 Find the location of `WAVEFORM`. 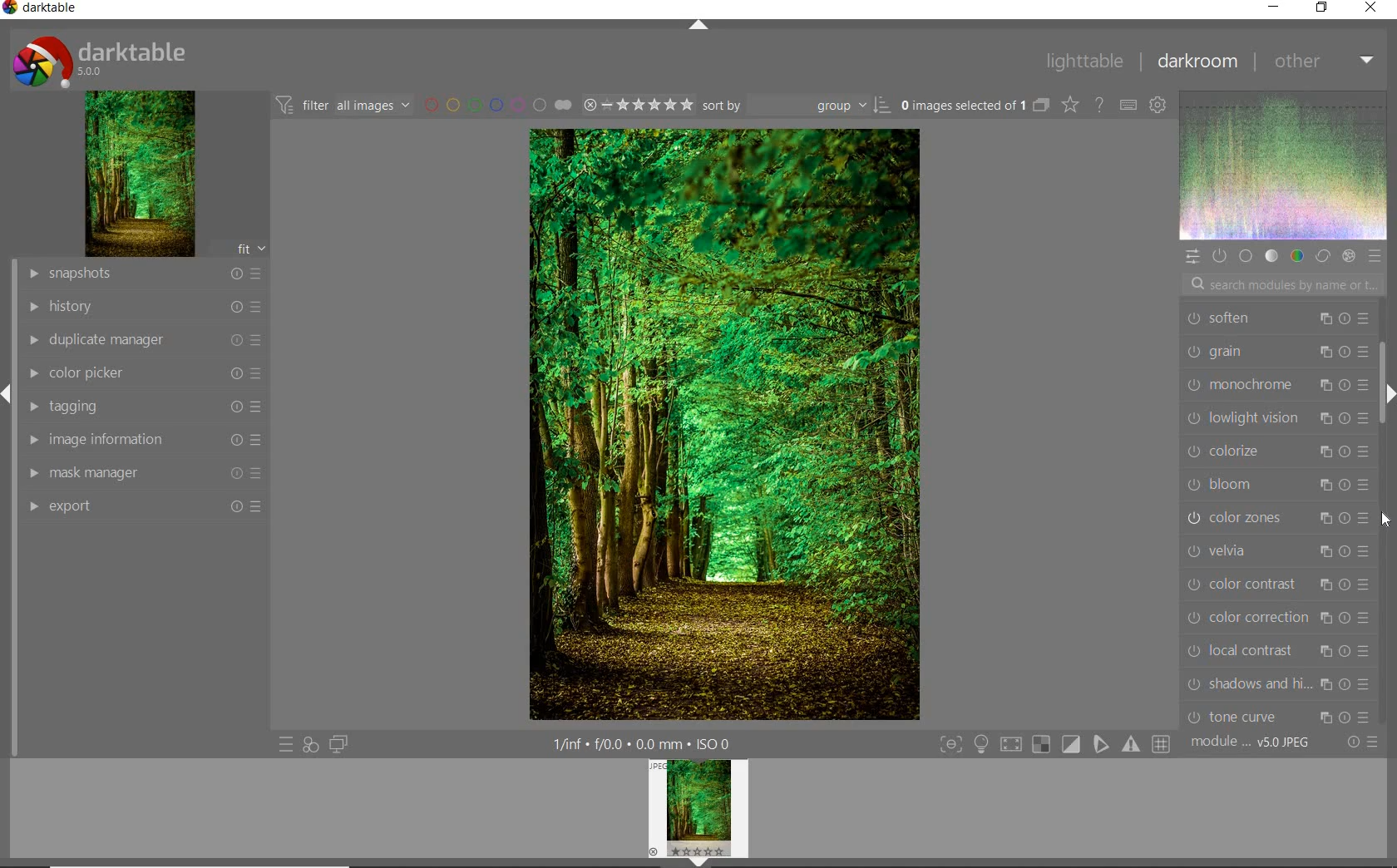

WAVEFORM is located at coordinates (1284, 165).